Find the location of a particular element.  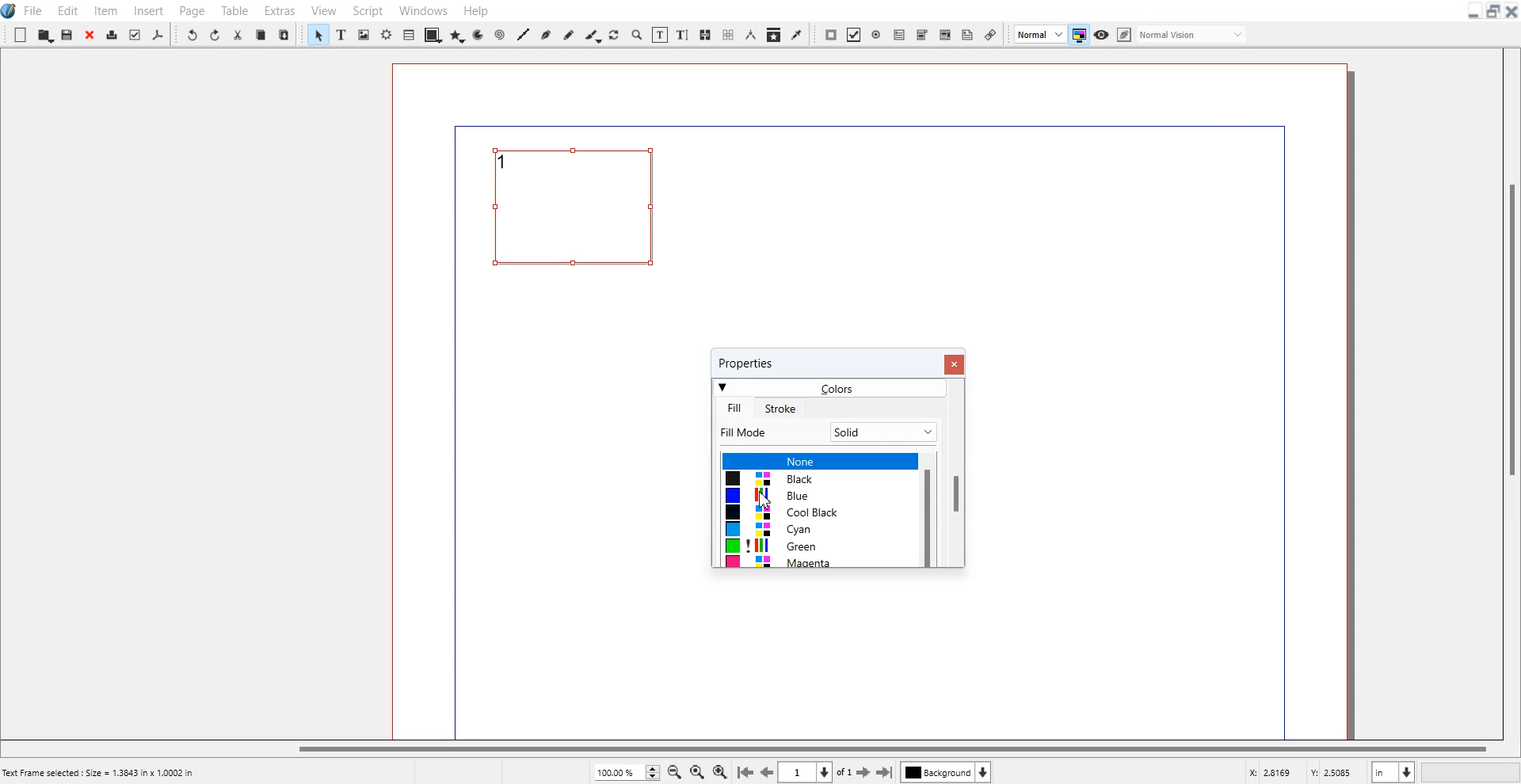

Close is located at coordinates (90, 34).